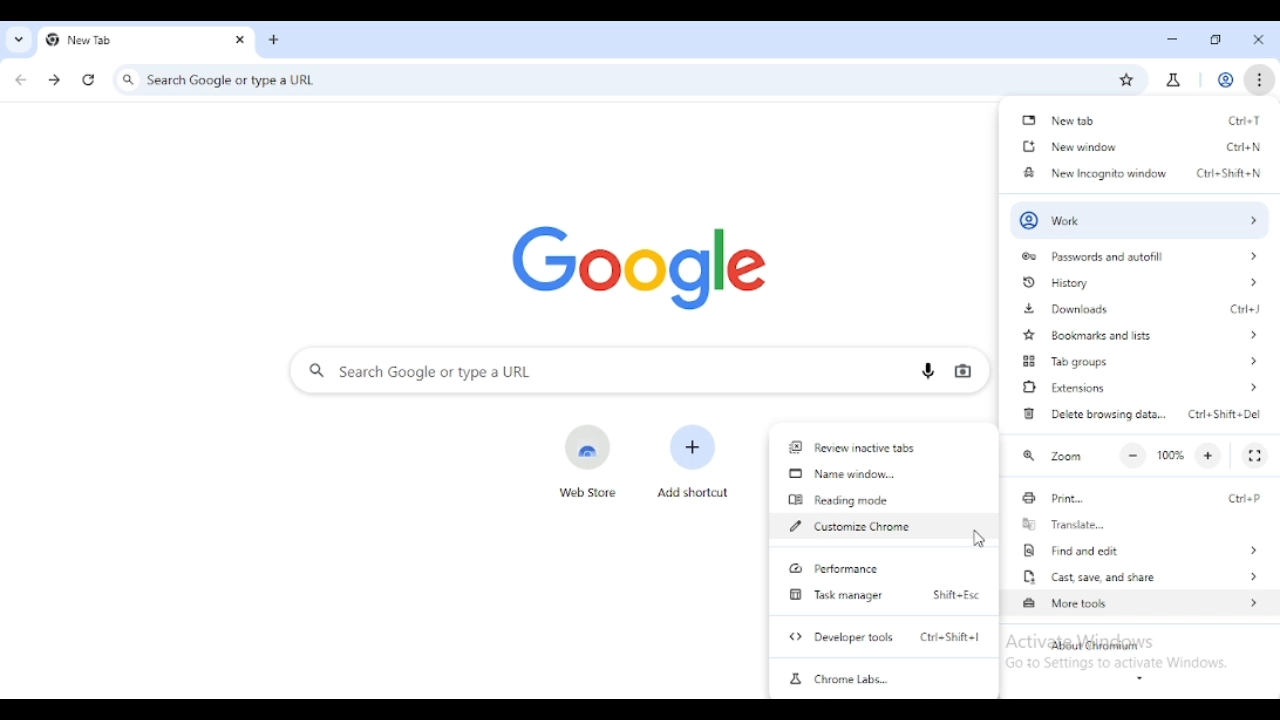  What do you see at coordinates (1173, 40) in the screenshot?
I see `minimize` at bounding box center [1173, 40].